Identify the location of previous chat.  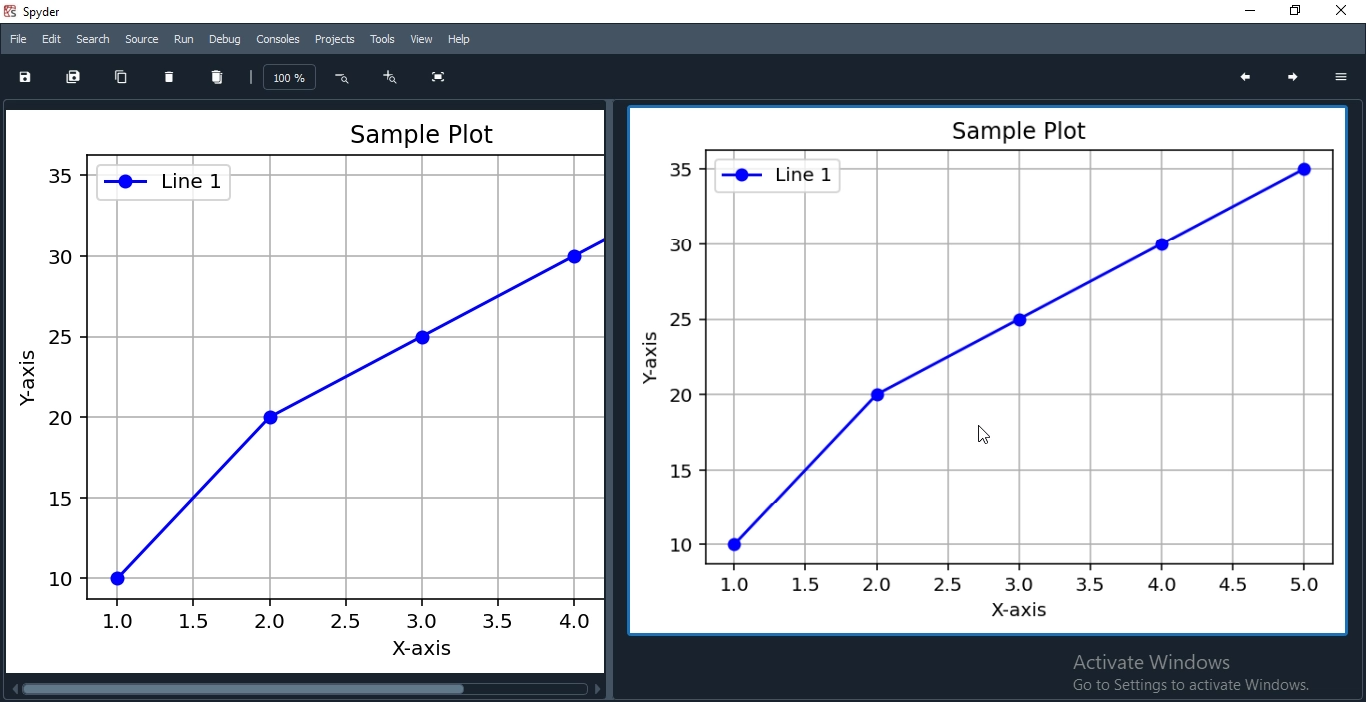
(1245, 78).